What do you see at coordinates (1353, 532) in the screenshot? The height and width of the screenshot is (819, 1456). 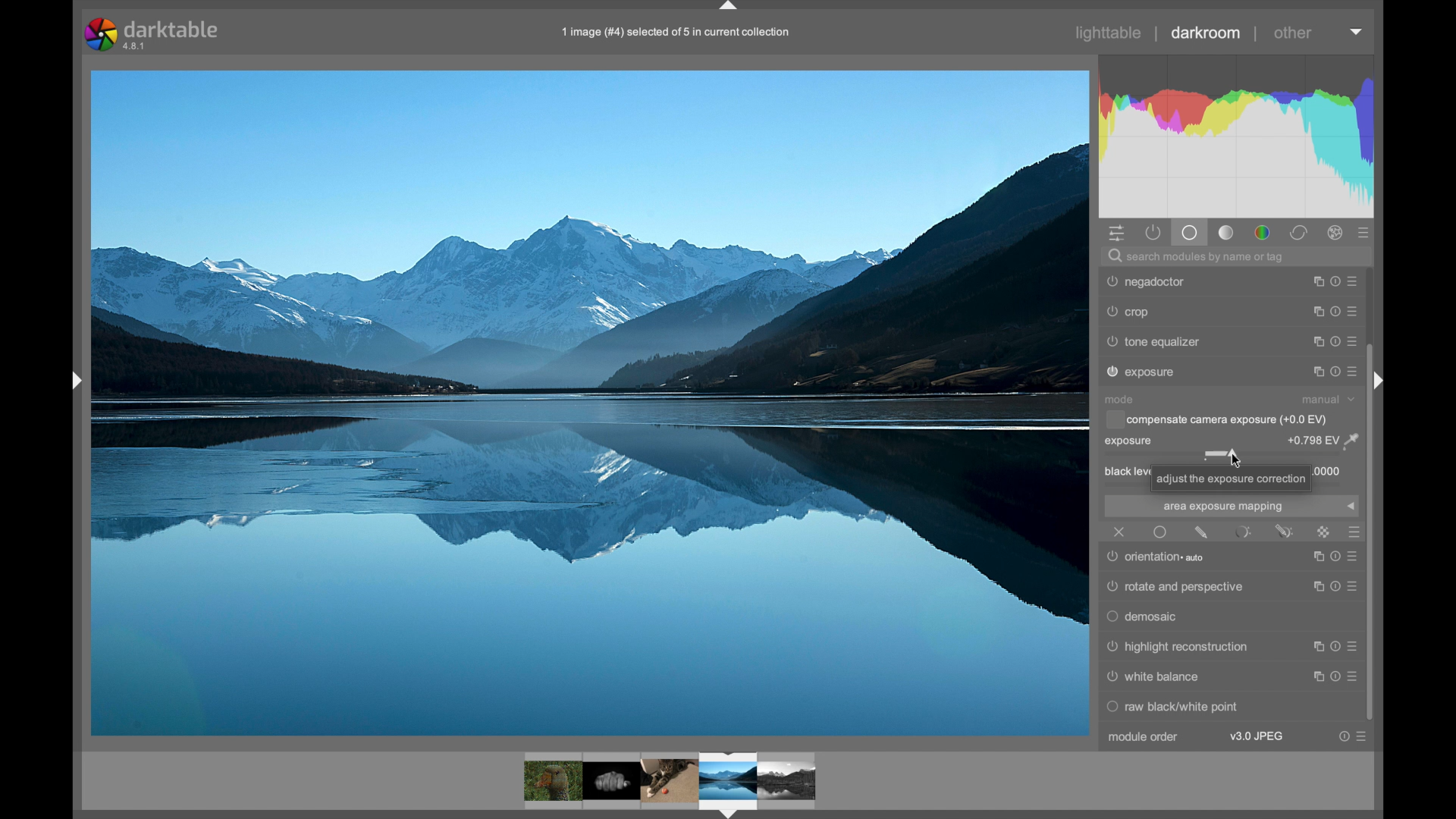 I see `presets` at bounding box center [1353, 532].